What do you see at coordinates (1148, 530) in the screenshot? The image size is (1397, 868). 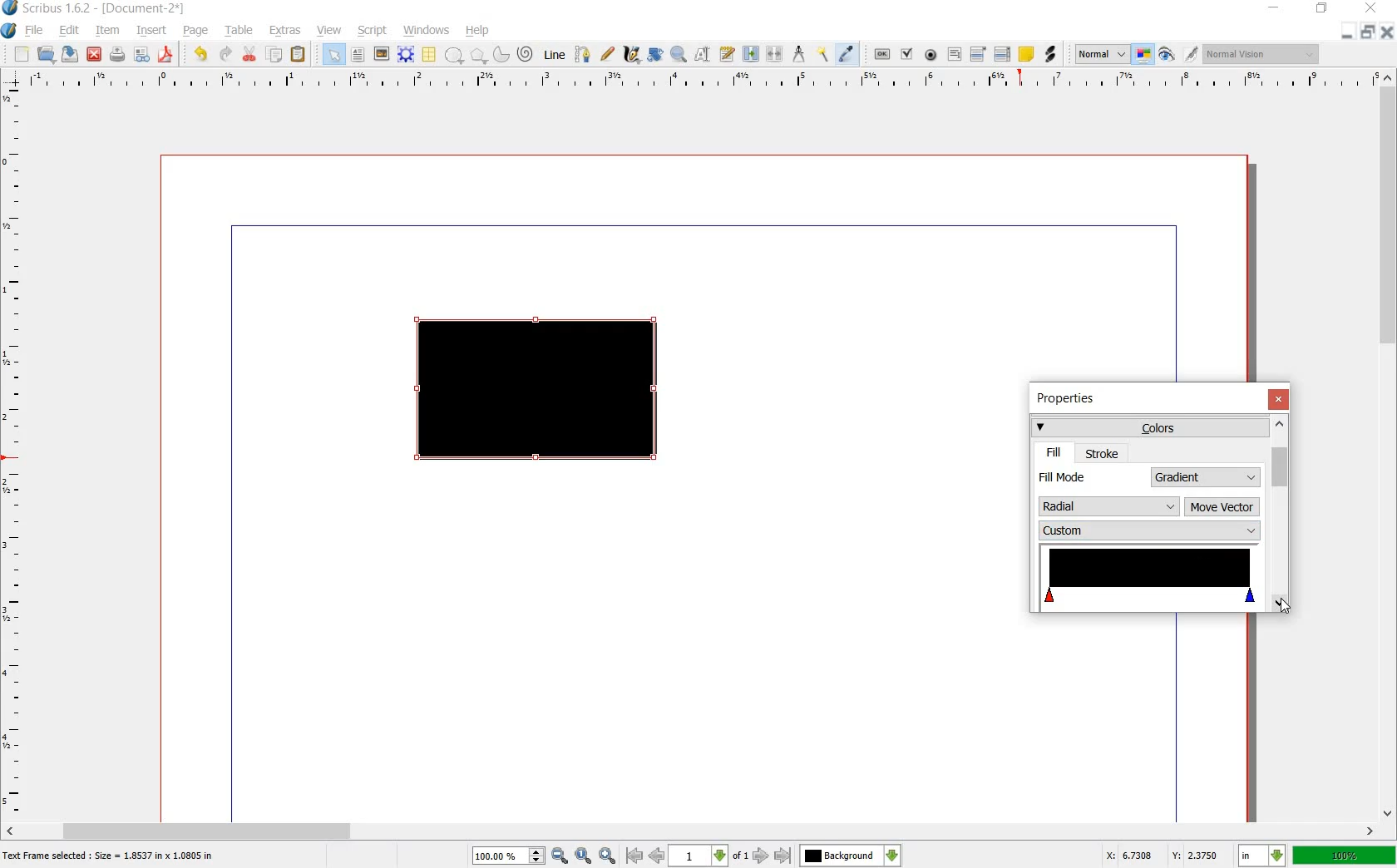 I see `custom` at bounding box center [1148, 530].